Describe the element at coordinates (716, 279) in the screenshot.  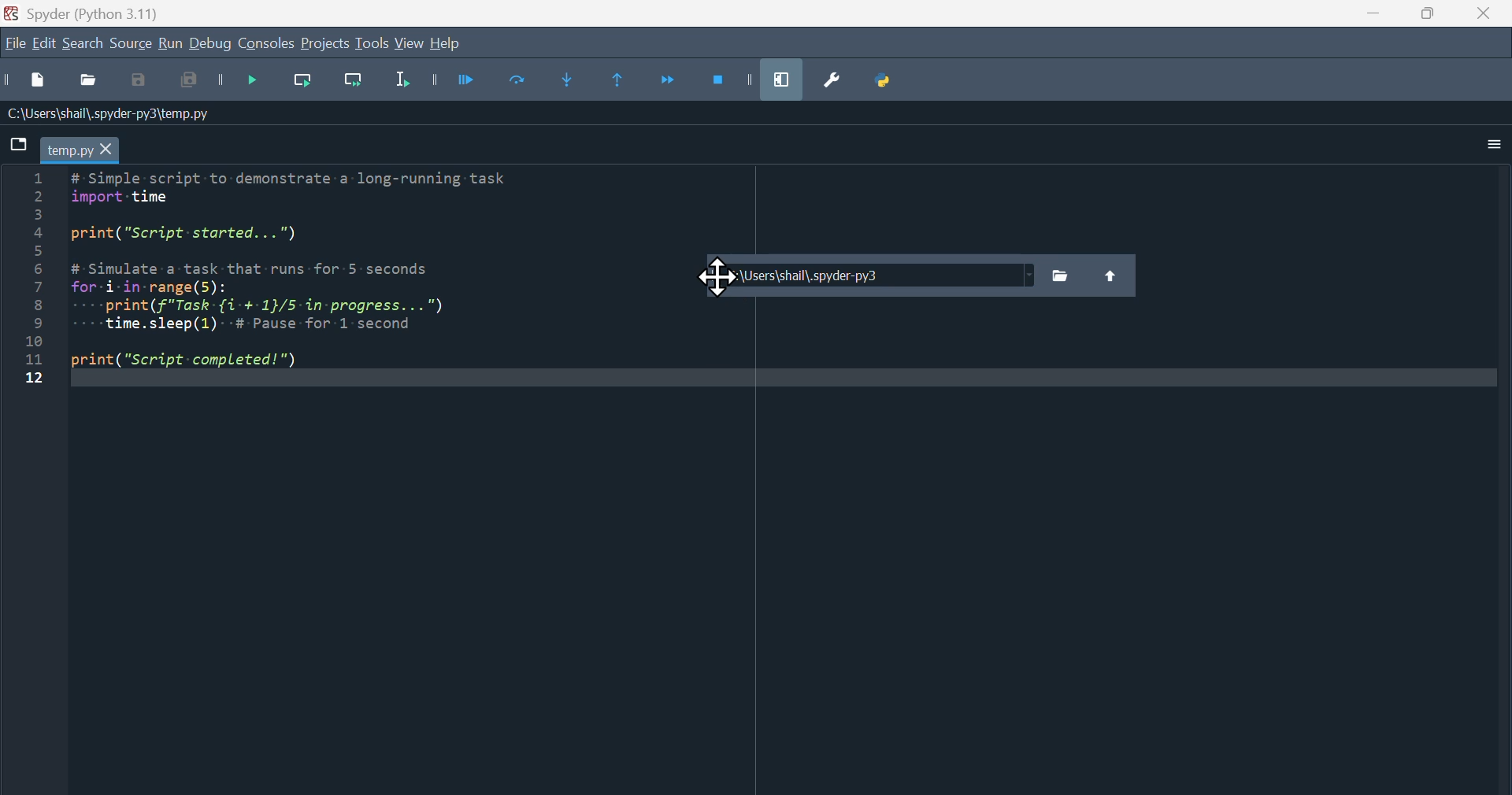
I see `Cursor on Plugin` at that location.